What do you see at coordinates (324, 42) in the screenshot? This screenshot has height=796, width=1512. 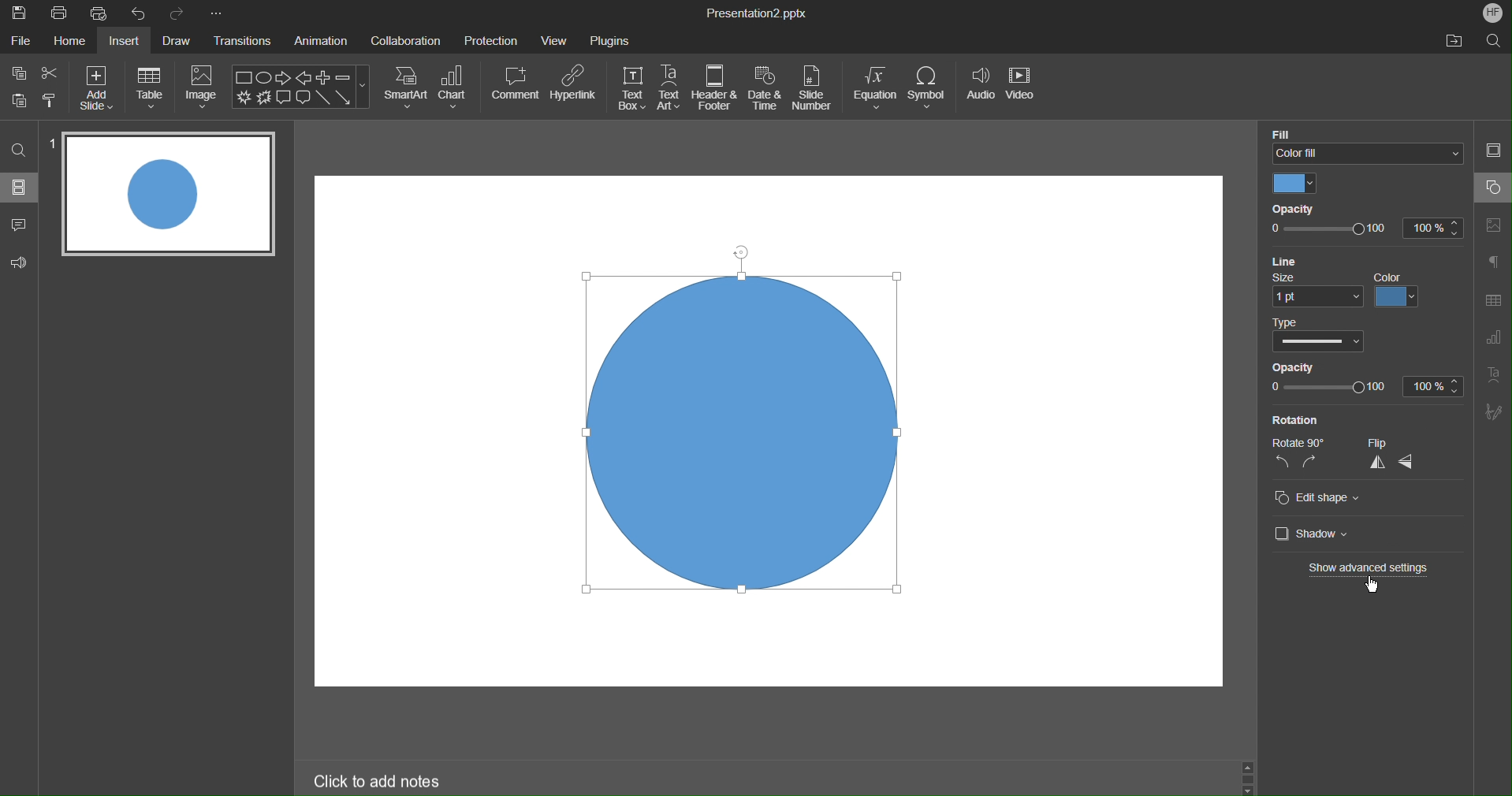 I see `Animation` at bounding box center [324, 42].